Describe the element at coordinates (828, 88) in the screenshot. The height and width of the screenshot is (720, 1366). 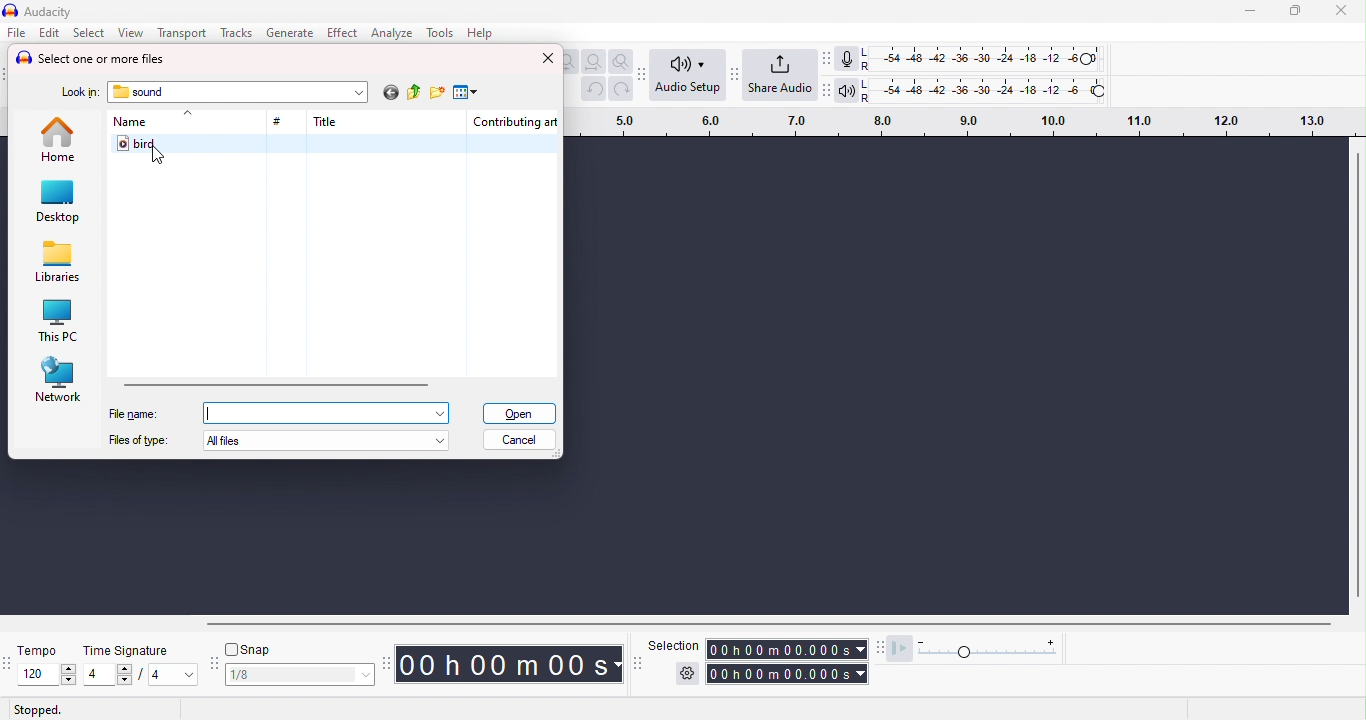
I see `playback meter tool bar` at that location.